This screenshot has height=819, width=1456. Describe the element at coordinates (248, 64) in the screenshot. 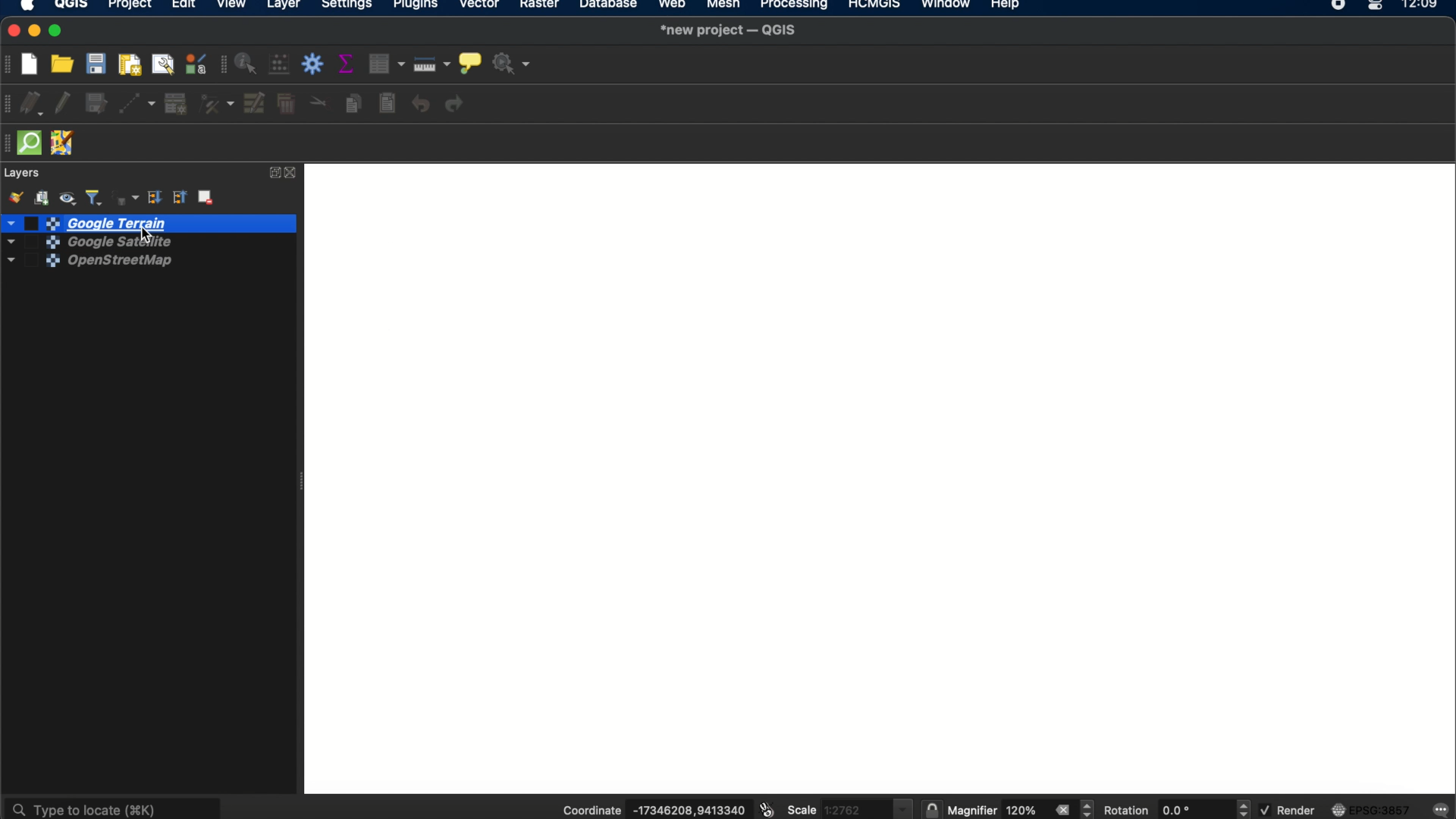

I see `identify features` at that location.